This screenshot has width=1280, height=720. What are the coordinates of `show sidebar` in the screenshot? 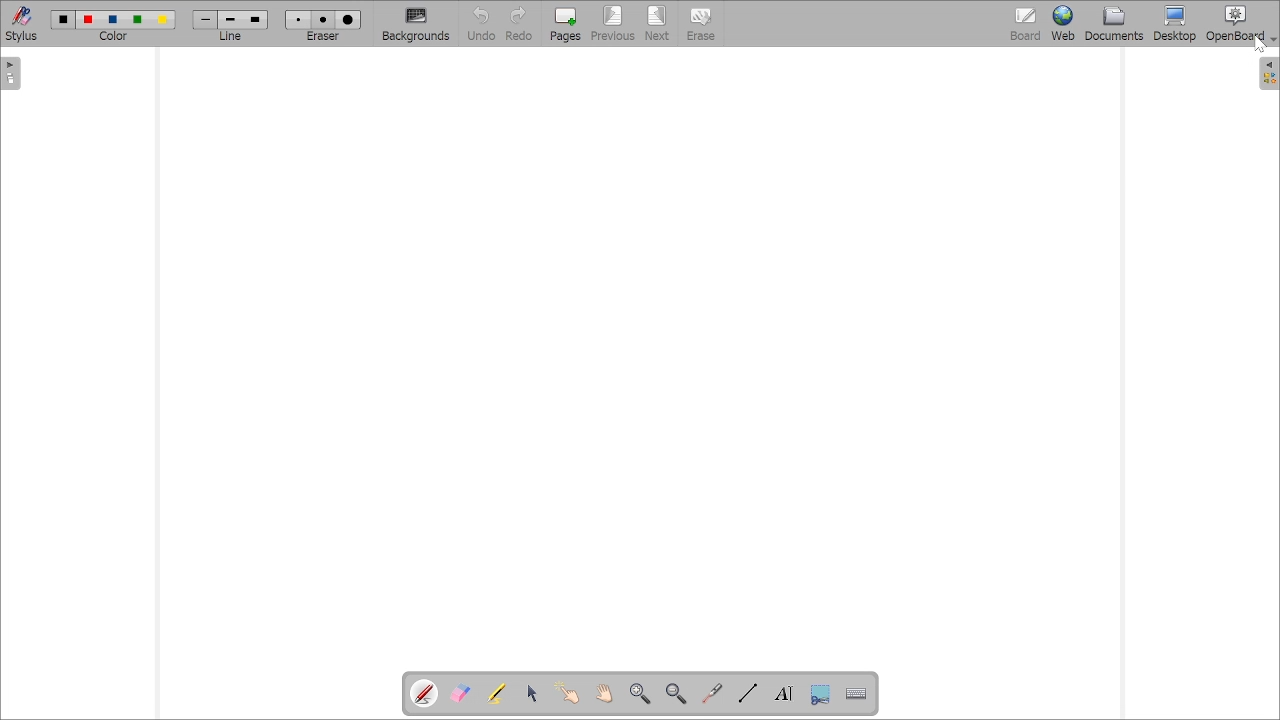 It's located at (1266, 72).